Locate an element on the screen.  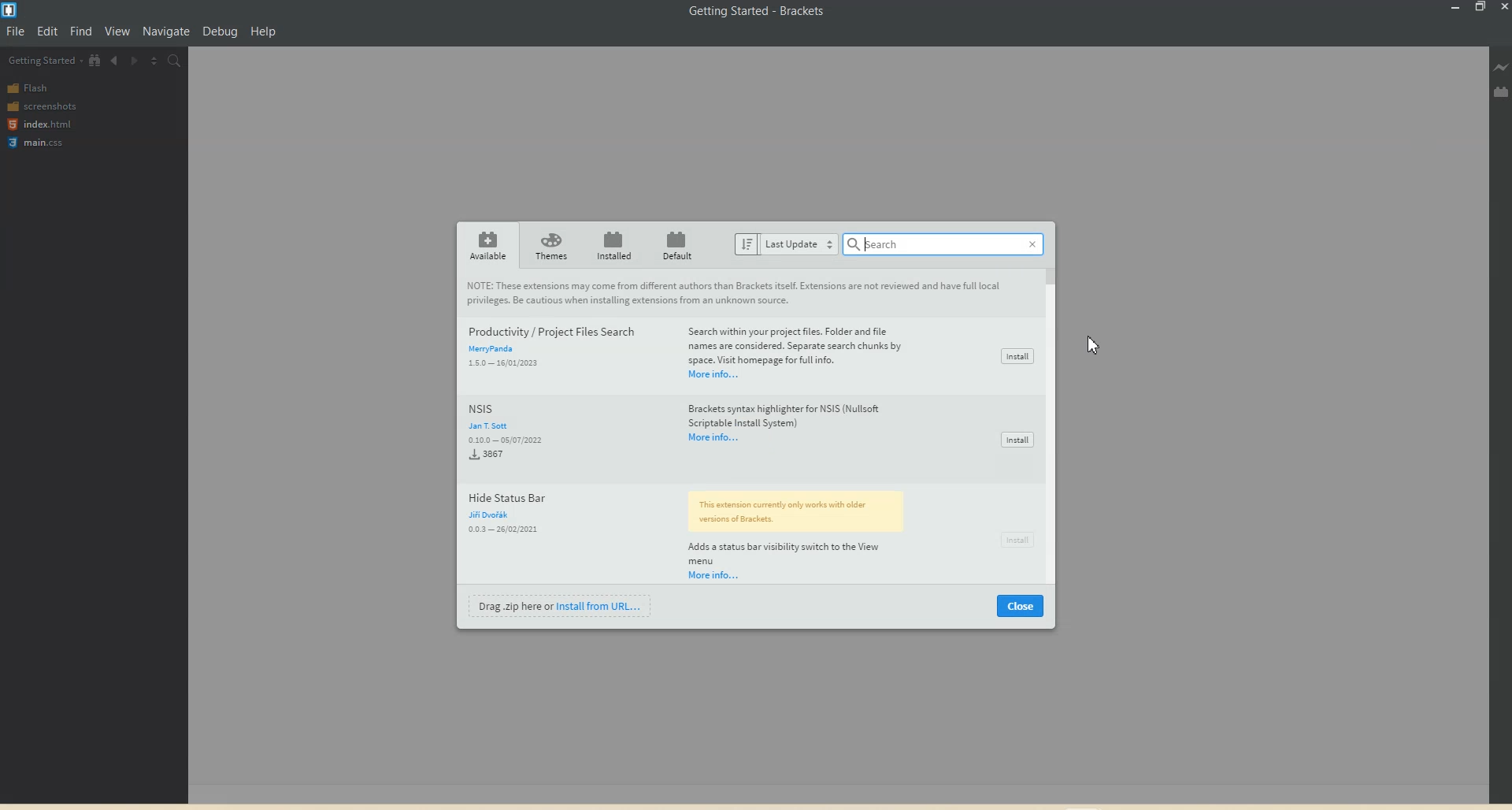
Search bar is located at coordinates (929, 243).